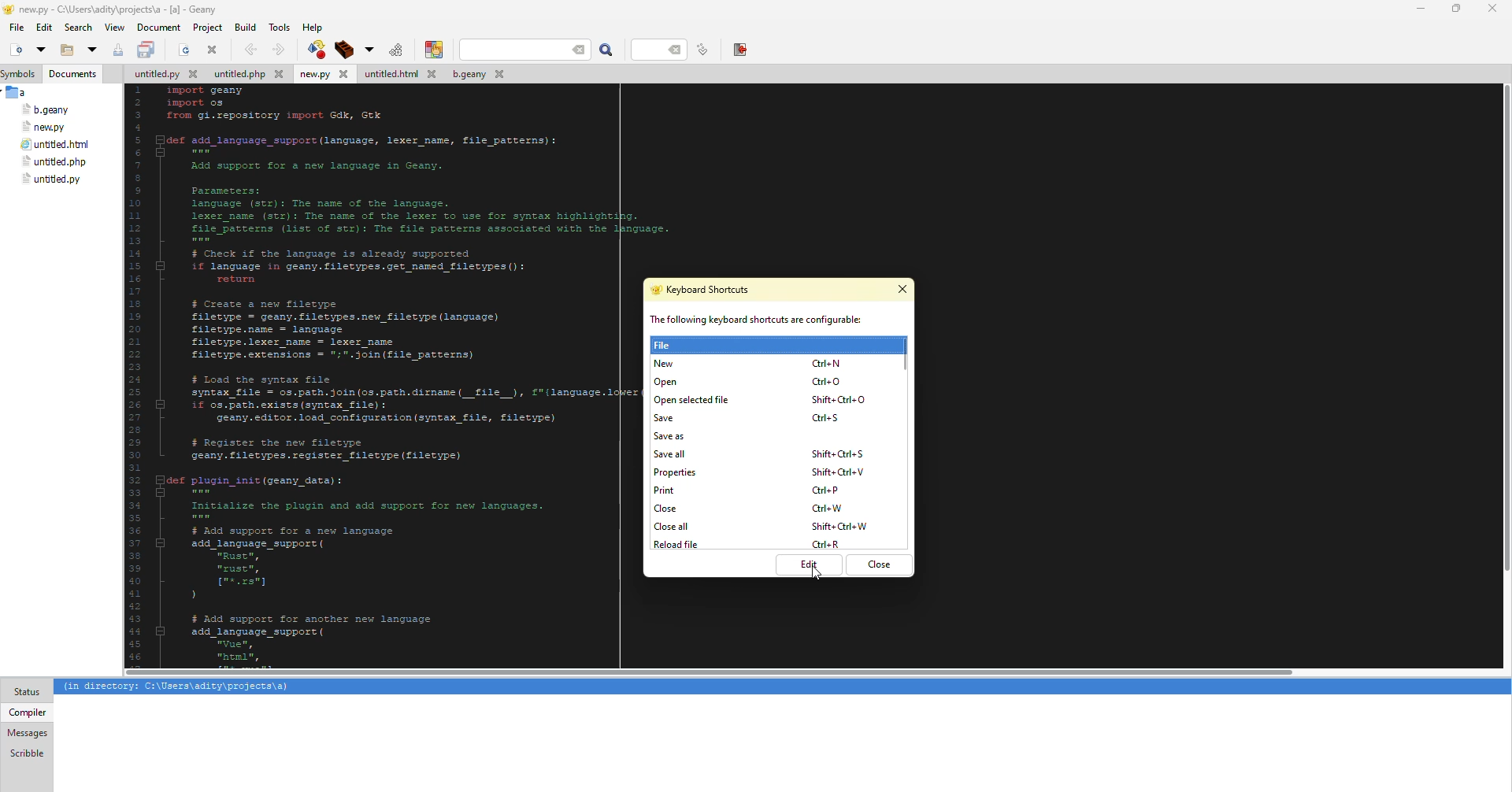 Image resolution: width=1512 pixels, height=792 pixels. I want to click on shortcut, so click(840, 399).